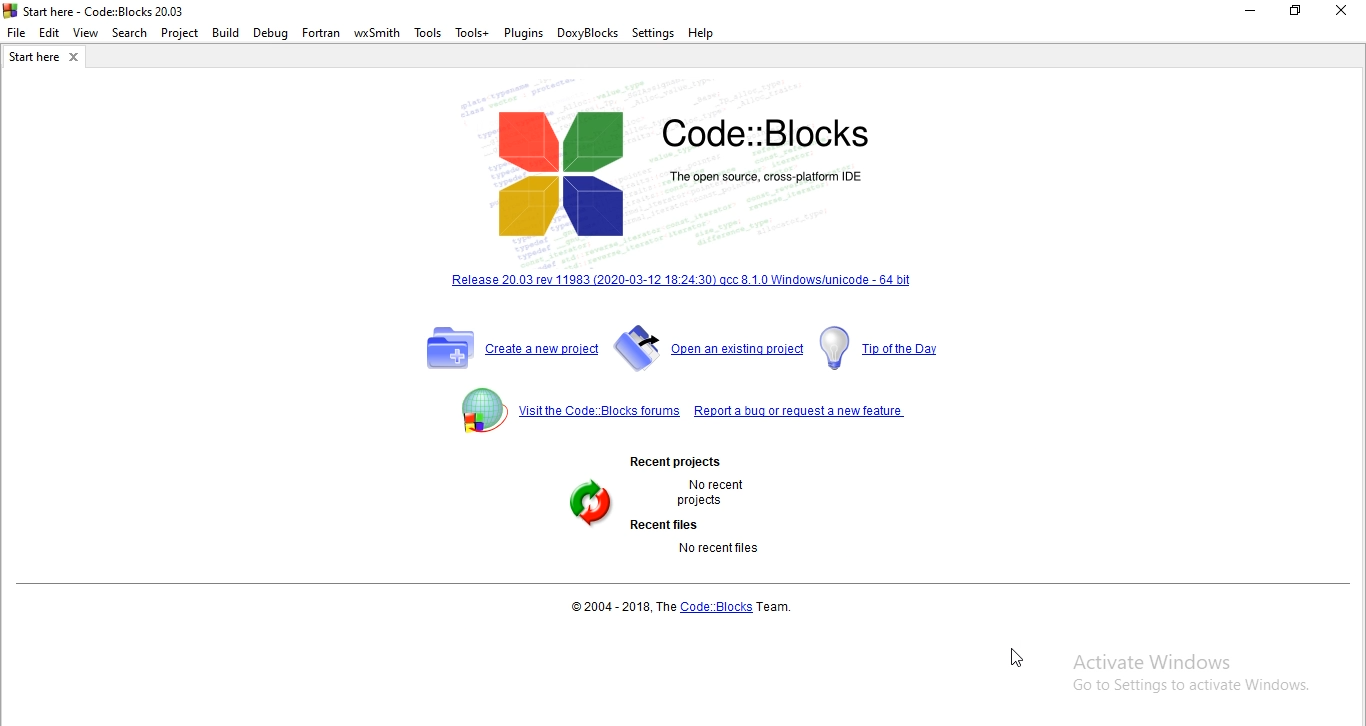 The width and height of the screenshot is (1366, 726). Describe the element at coordinates (1198, 677) in the screenshot. I see `Activate Windows Go to settings to Activate Windows` at that location.